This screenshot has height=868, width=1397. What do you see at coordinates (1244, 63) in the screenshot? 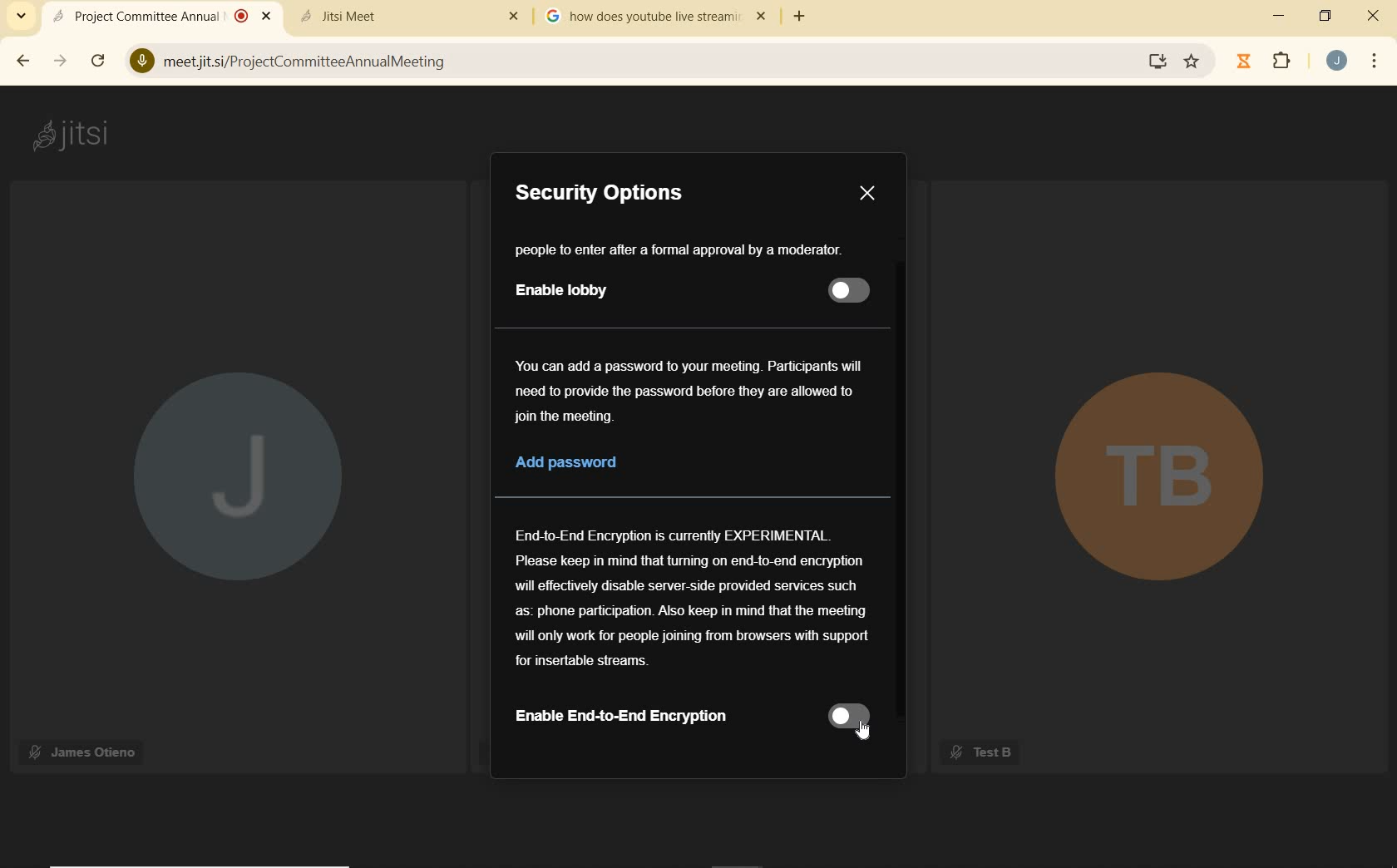
I see `Jibble` at bounding box center [1244, 63].